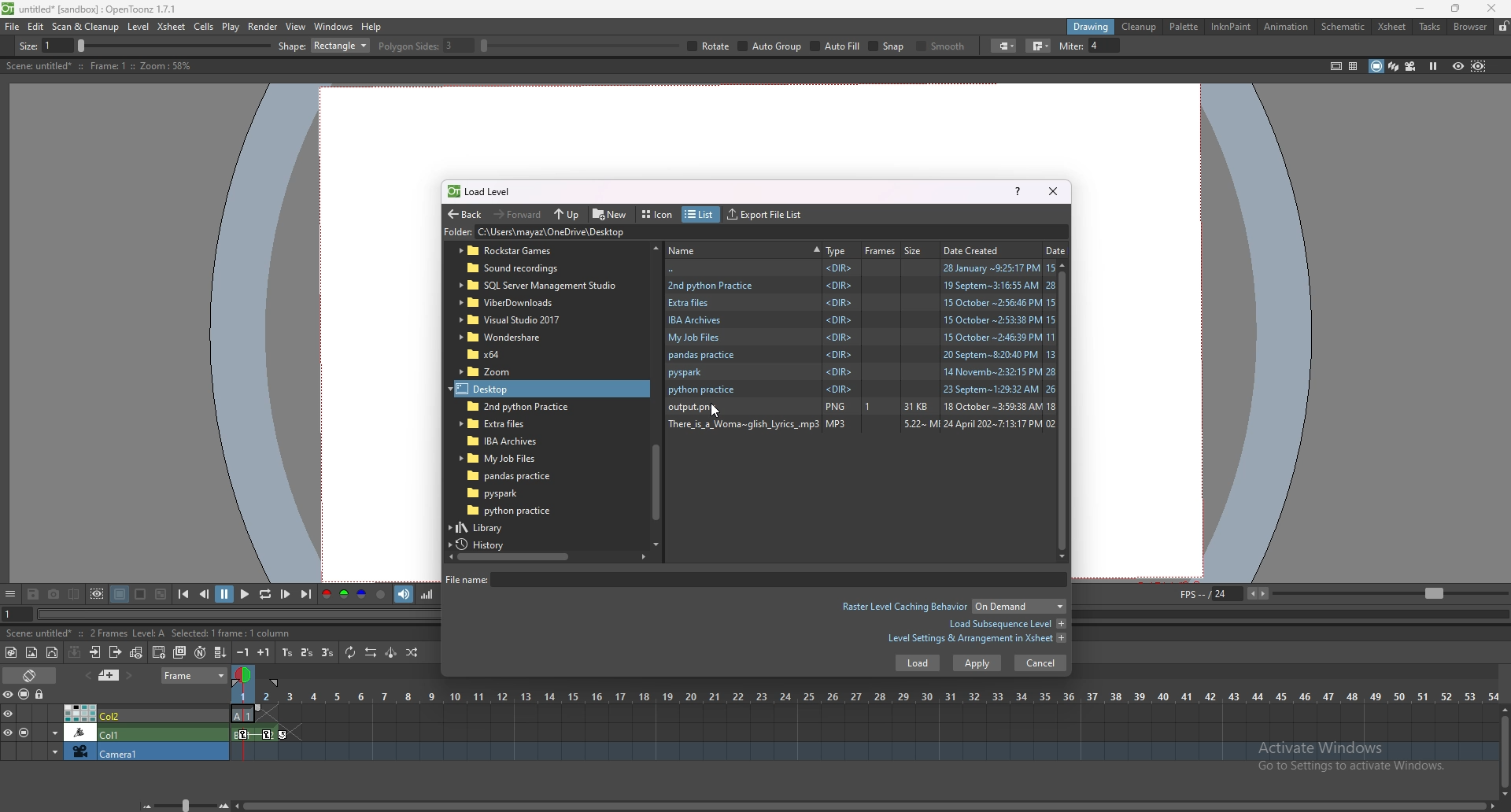 Image resolution: width=1511 pixels, height=812 pixels. I want to click on image, so click(895, 408).